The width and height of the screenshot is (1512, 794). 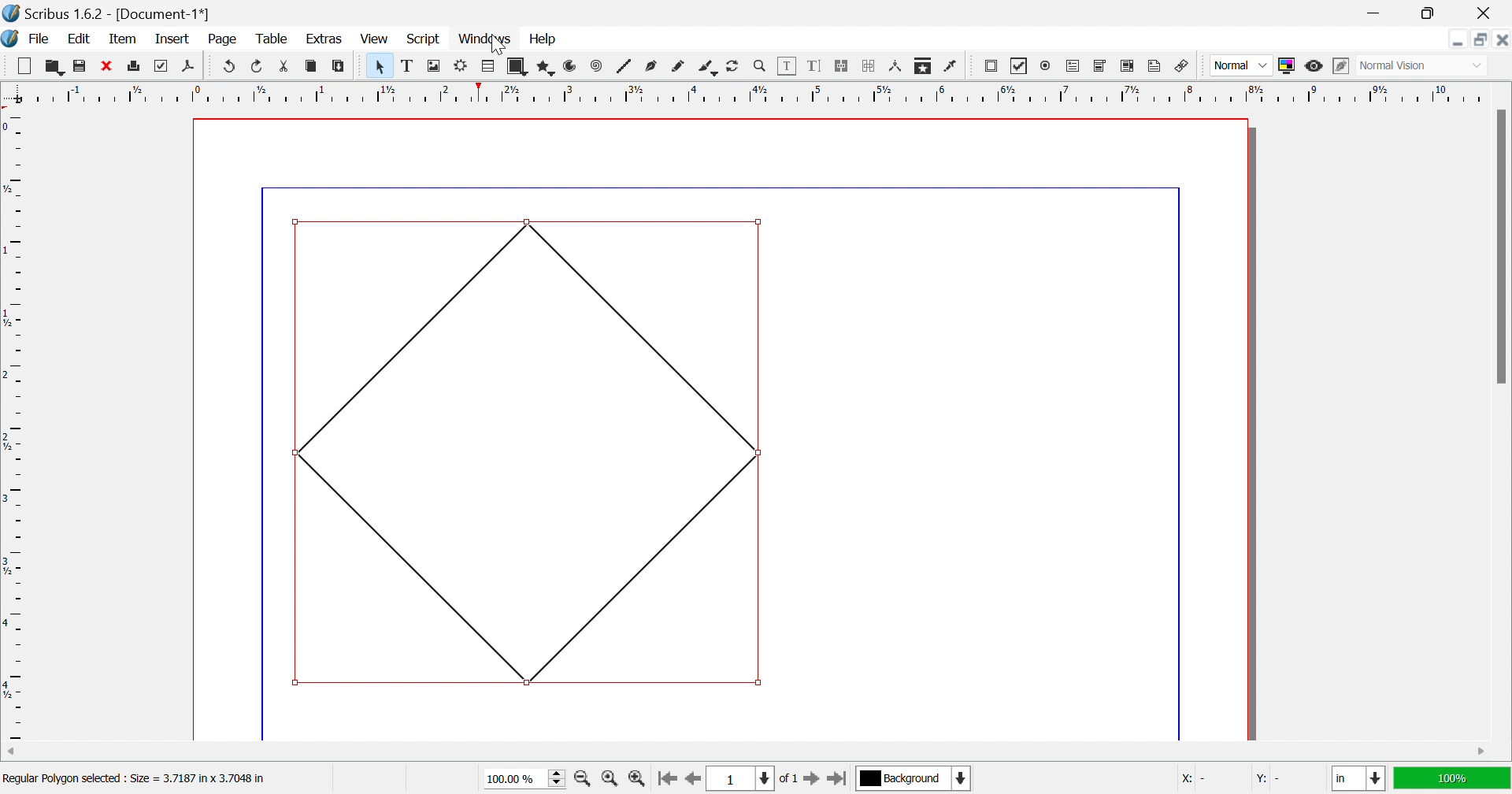 What do you see at coordinates (1075, 67) in the screenshot?
I see `PDF text field` at bounding box center [1075, 67].